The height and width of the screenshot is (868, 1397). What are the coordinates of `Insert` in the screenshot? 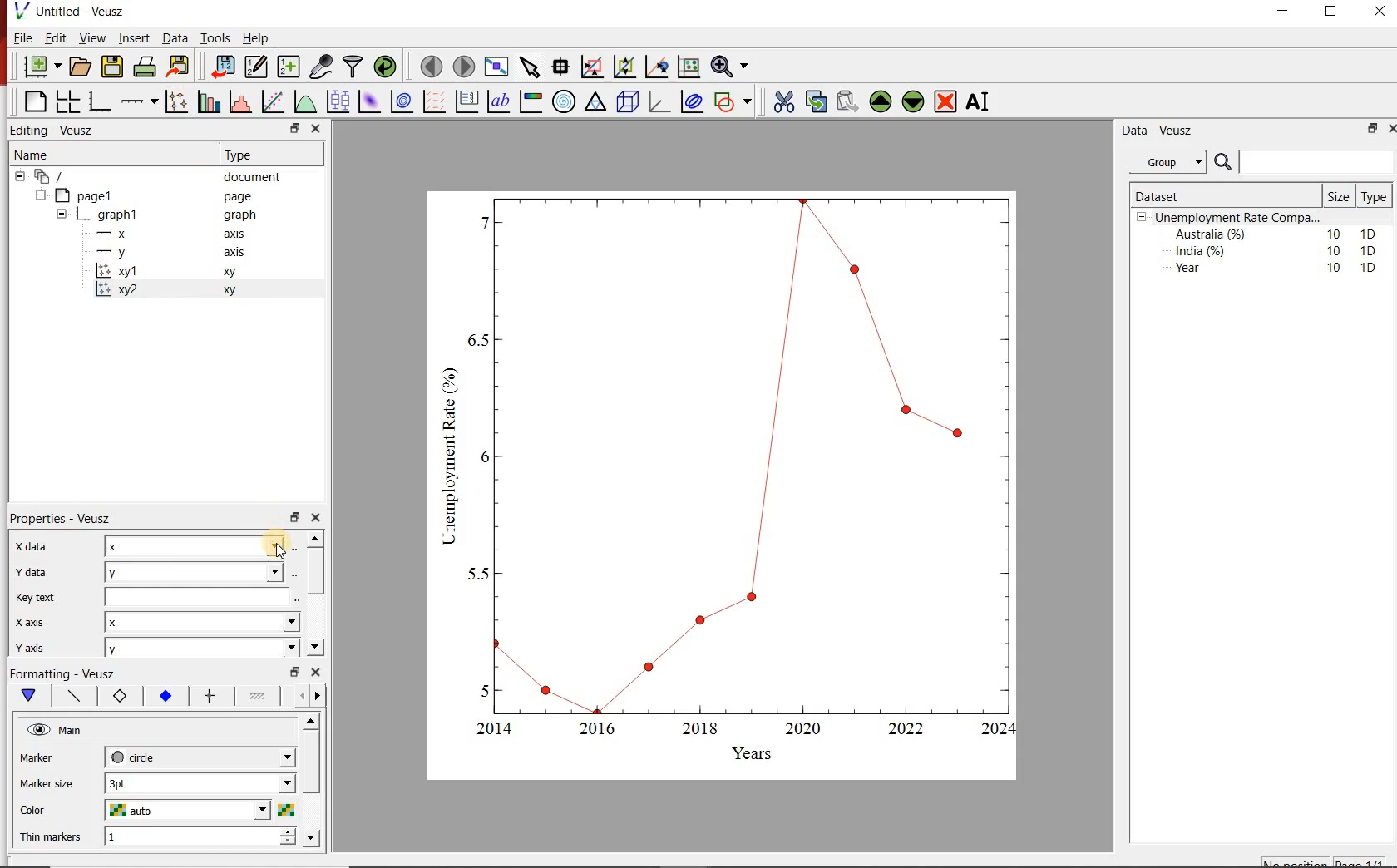 It's located at (133, 37).